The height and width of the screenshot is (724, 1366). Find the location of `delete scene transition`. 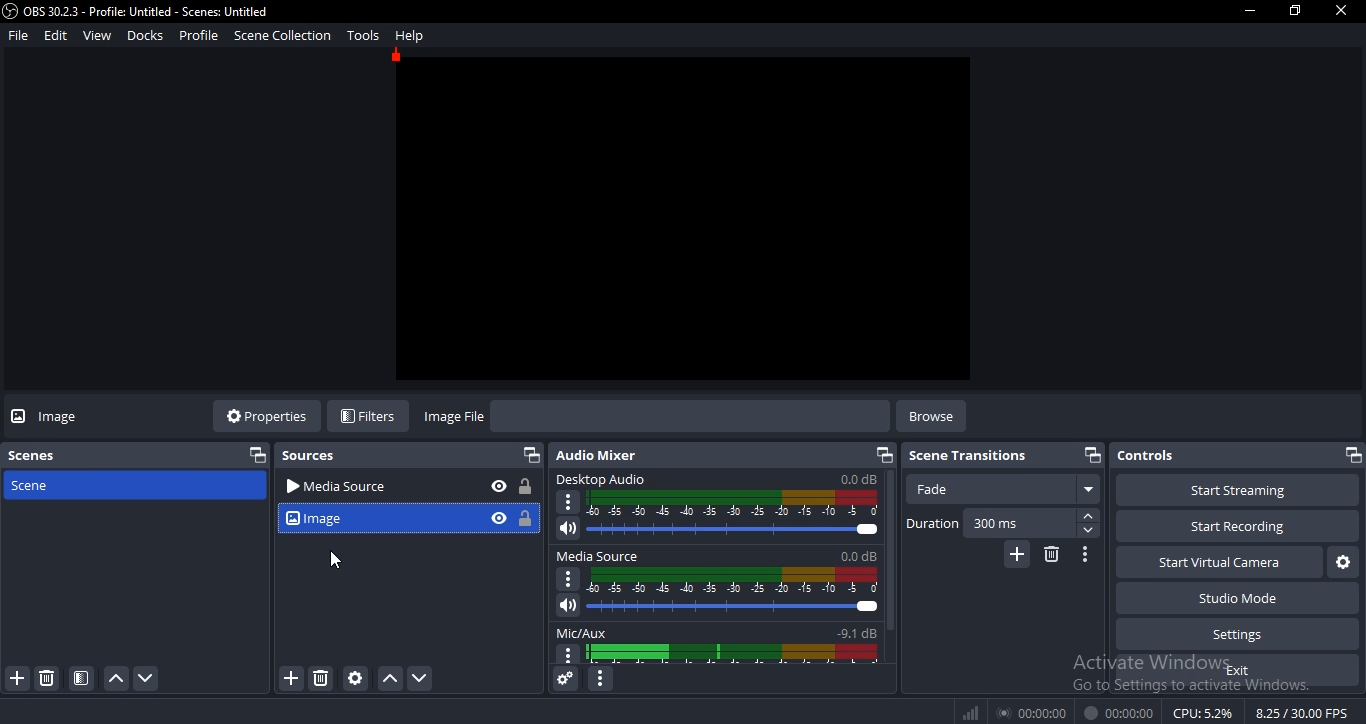

delete scene transition is located at coordinates (1049, 555).